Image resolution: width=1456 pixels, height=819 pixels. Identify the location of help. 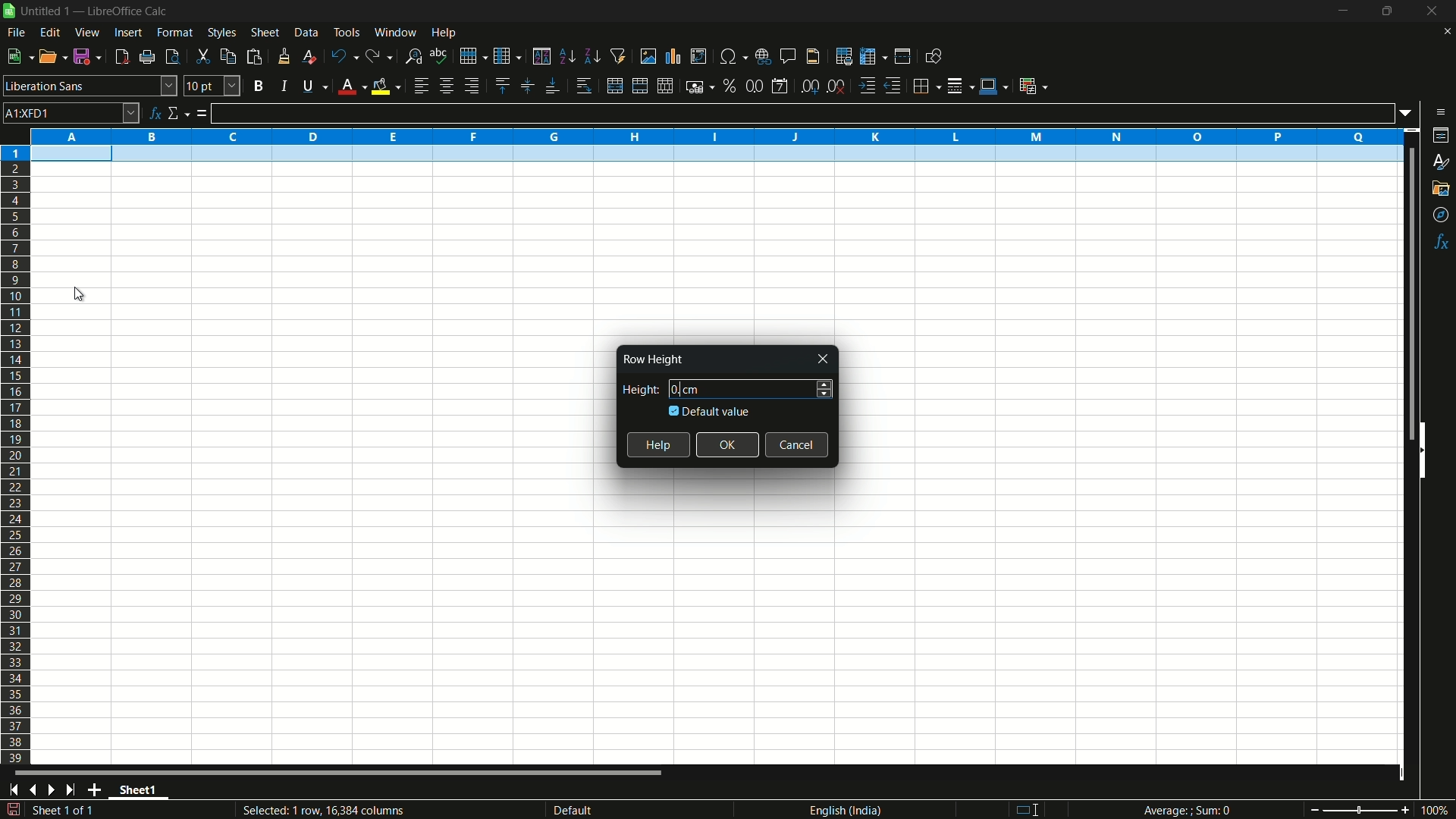
(658, 445).